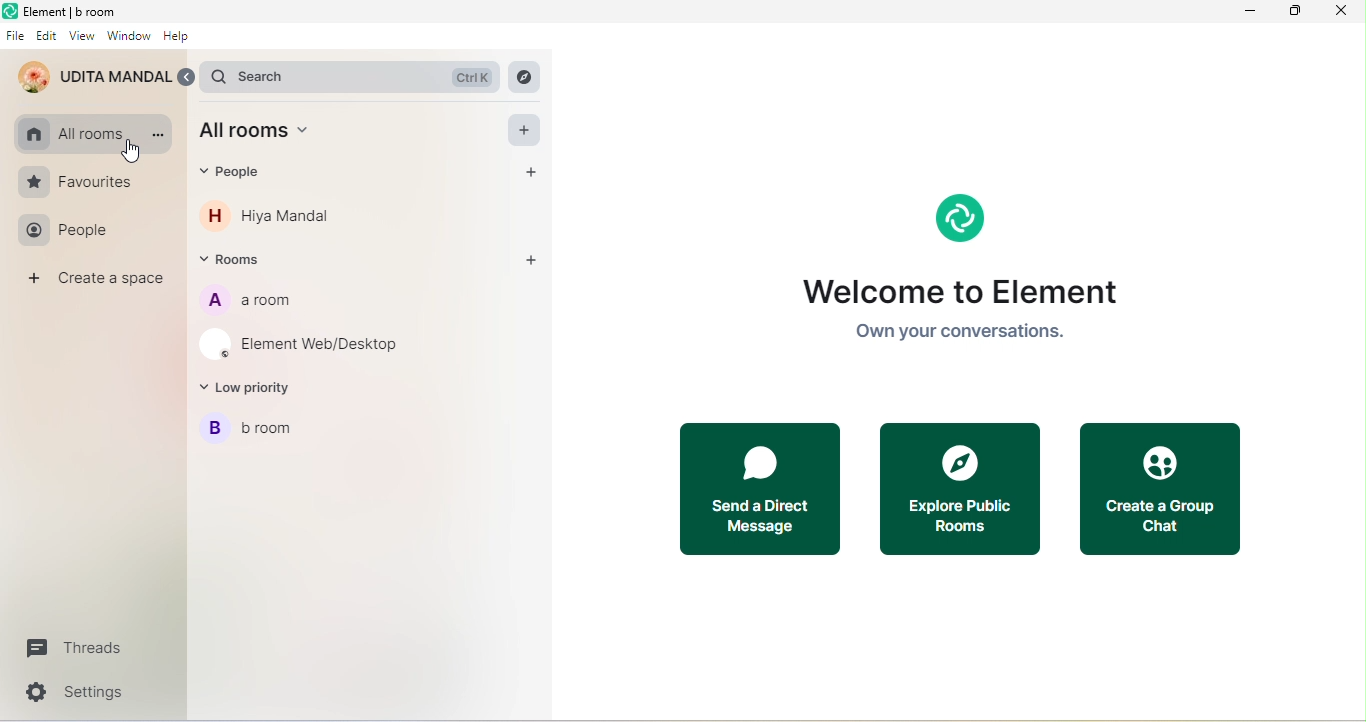 The width and height of the screenshot is (1366, 722). What do you see at coordinates (70, 651) in the screenshot?
I see `threads` at bounding box center [70, 651].